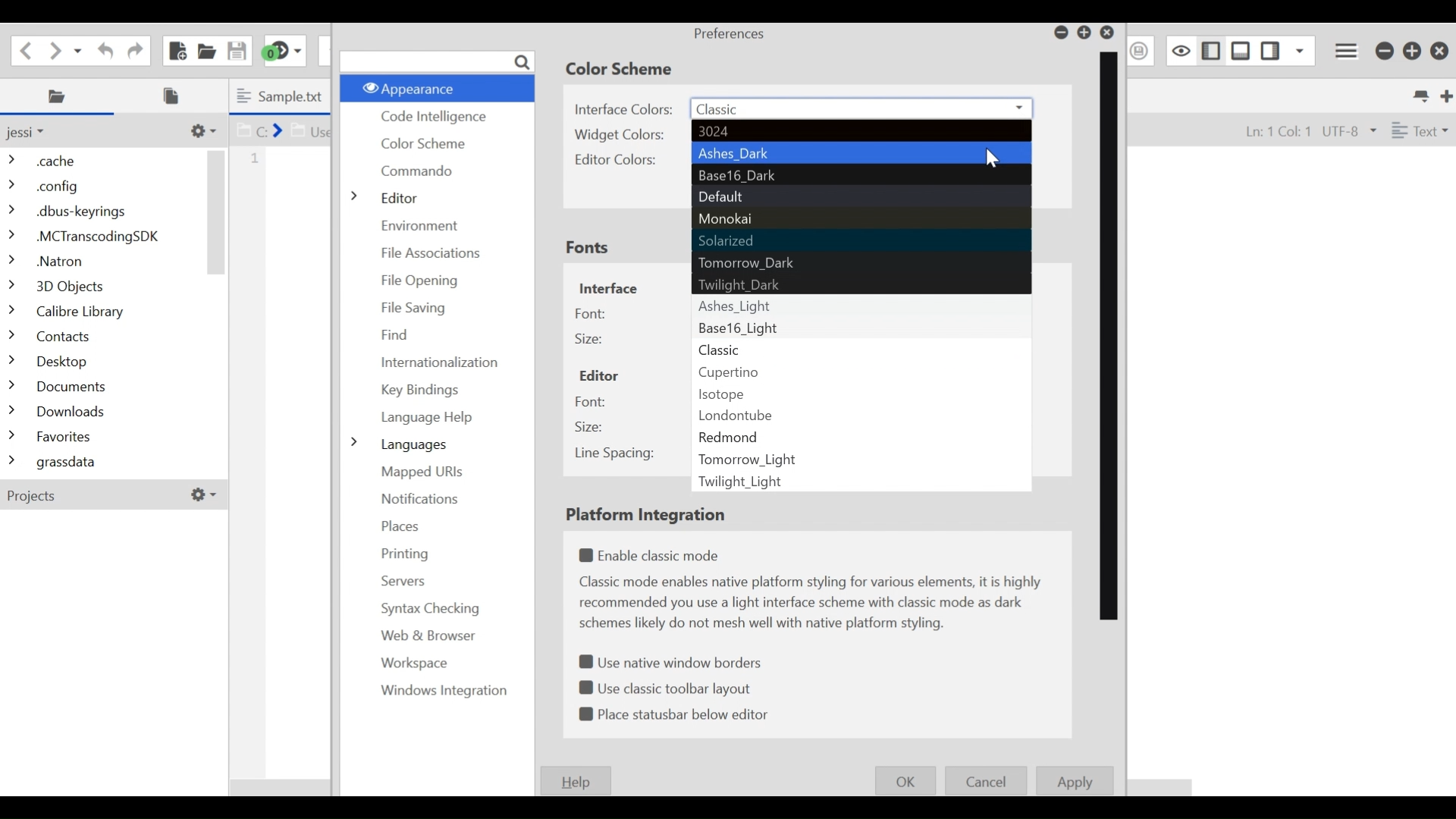 Image resolution: width=1456 pixels, height=819 pixels. What do you see at coordinates (1348, 49) in the screenshot?
I see `Application menu` at bounding box center [1348, 49].